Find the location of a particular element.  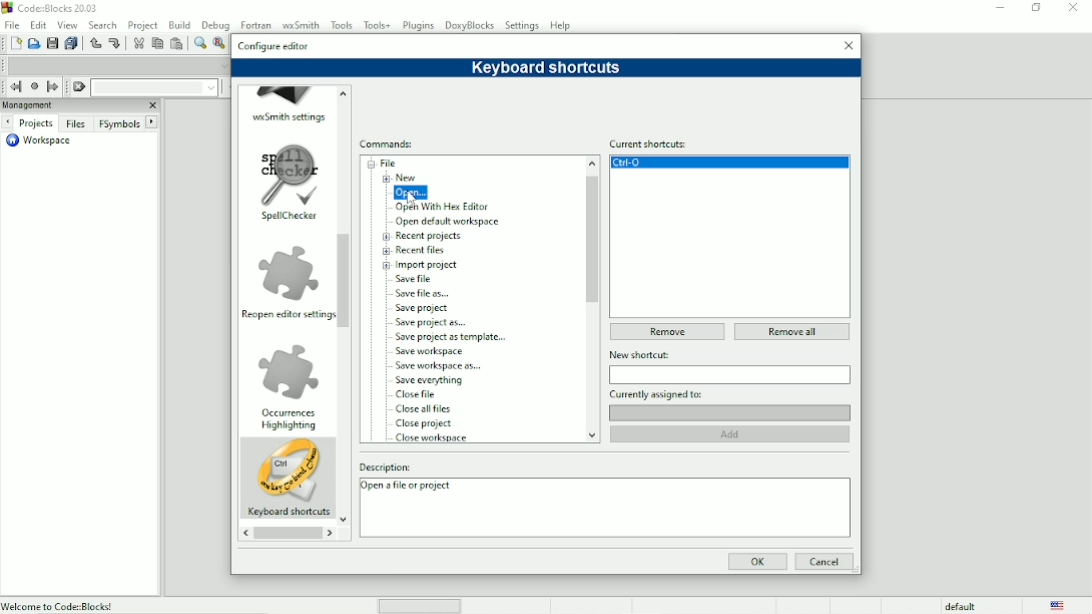

Tools is located at coordinates (341, 24).